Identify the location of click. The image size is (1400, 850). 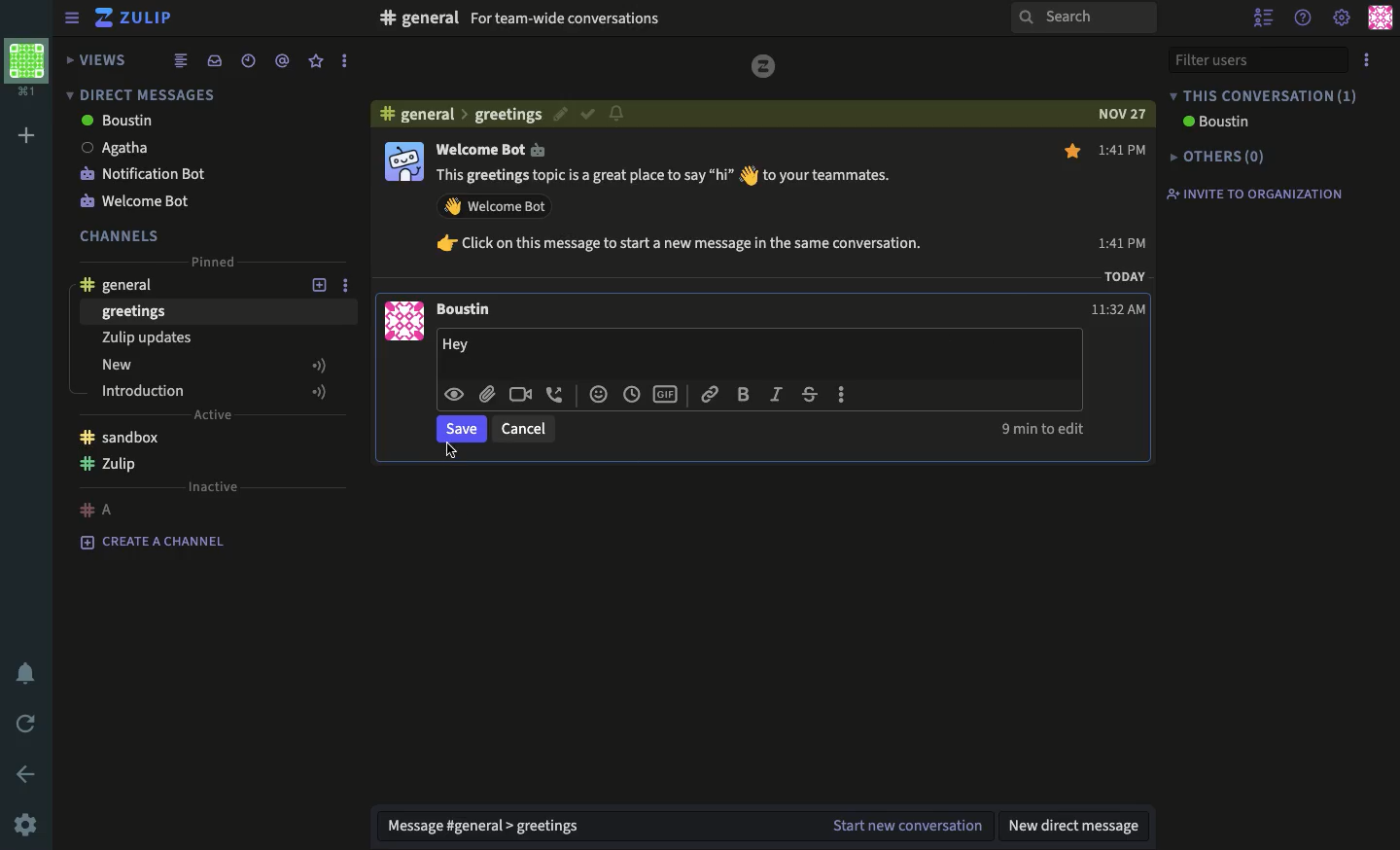
(450, 451).